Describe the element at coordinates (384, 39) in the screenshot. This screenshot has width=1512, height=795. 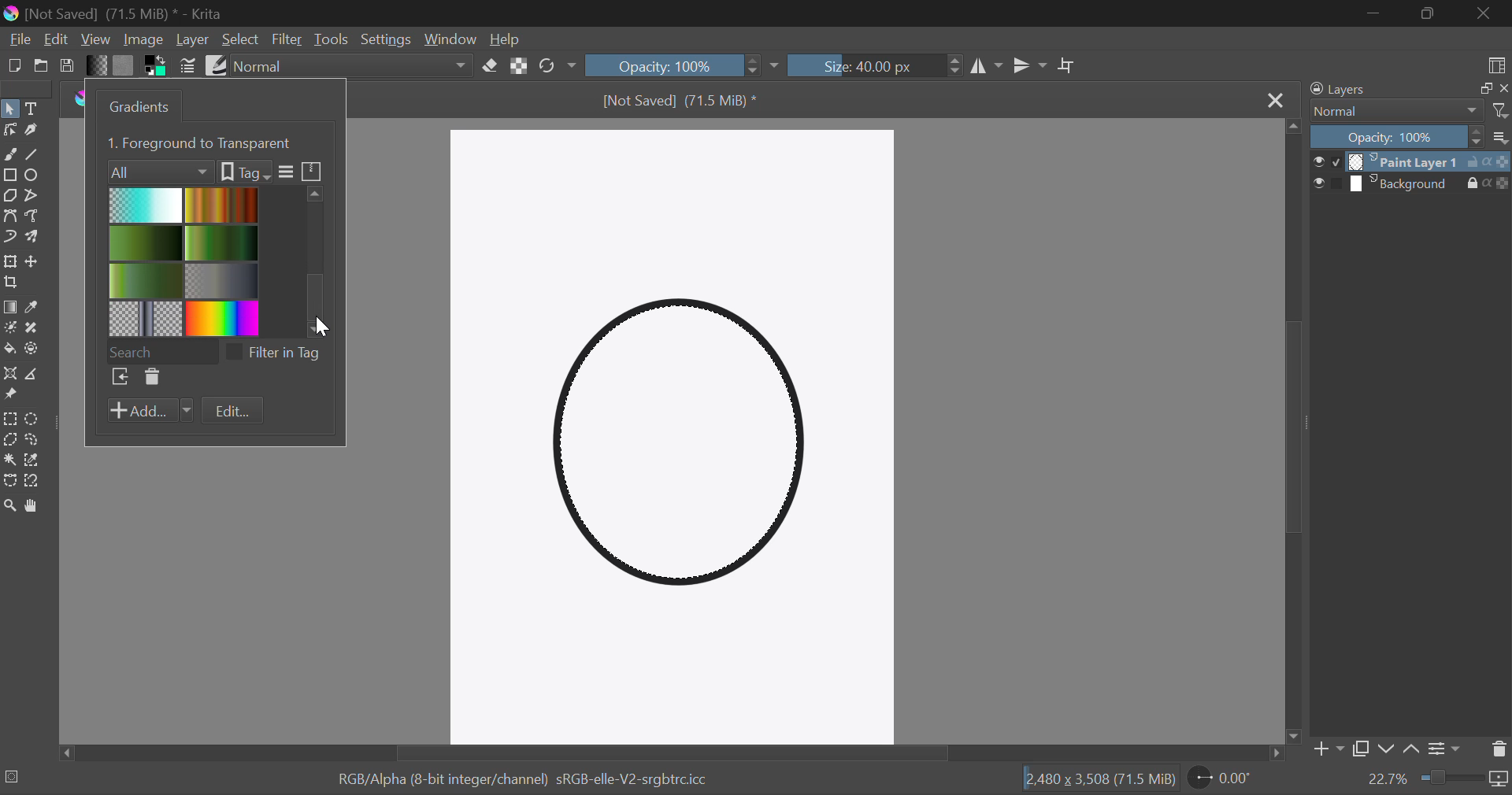
I see `Settings` at that location.